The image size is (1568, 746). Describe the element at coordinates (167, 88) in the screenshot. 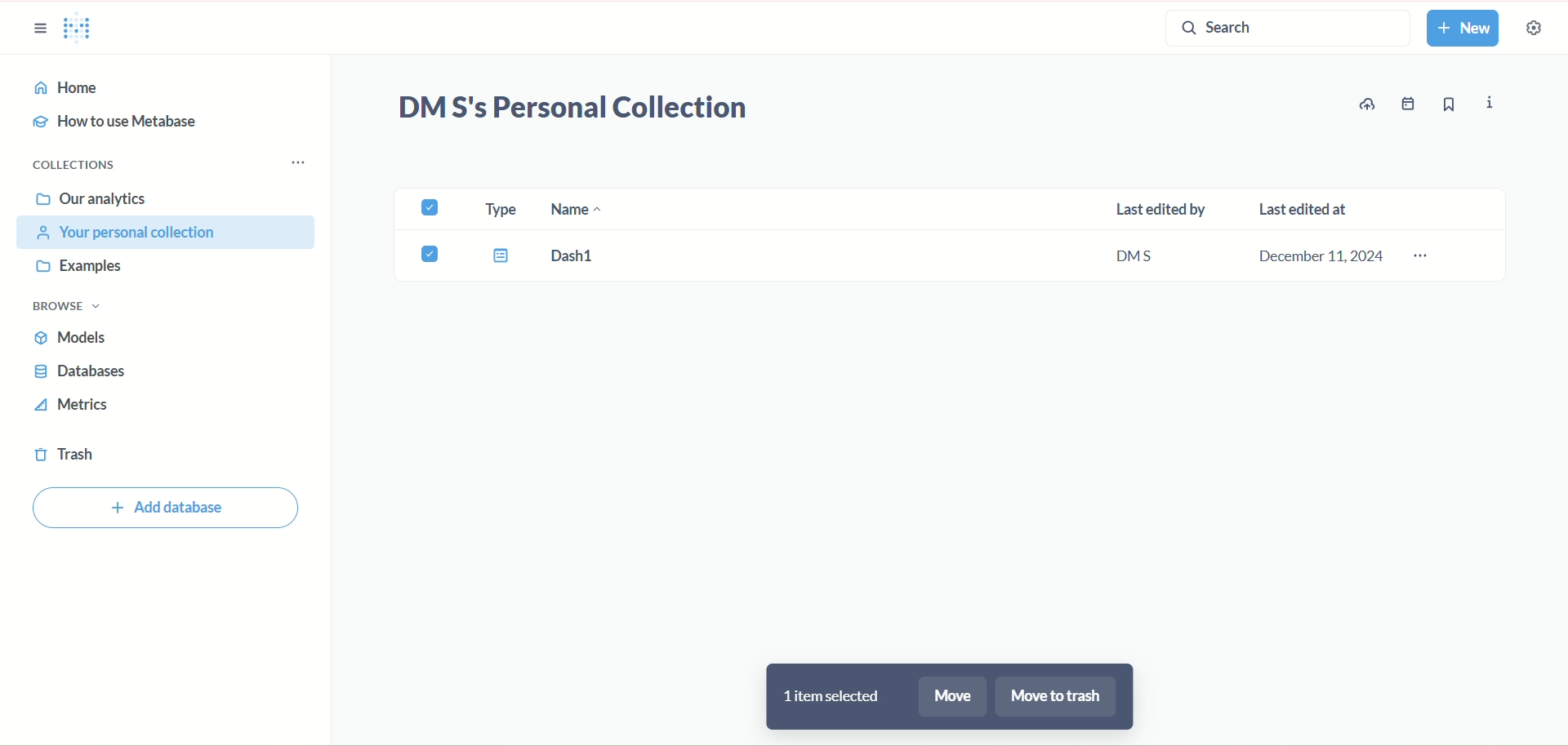

I see `home` at that location.